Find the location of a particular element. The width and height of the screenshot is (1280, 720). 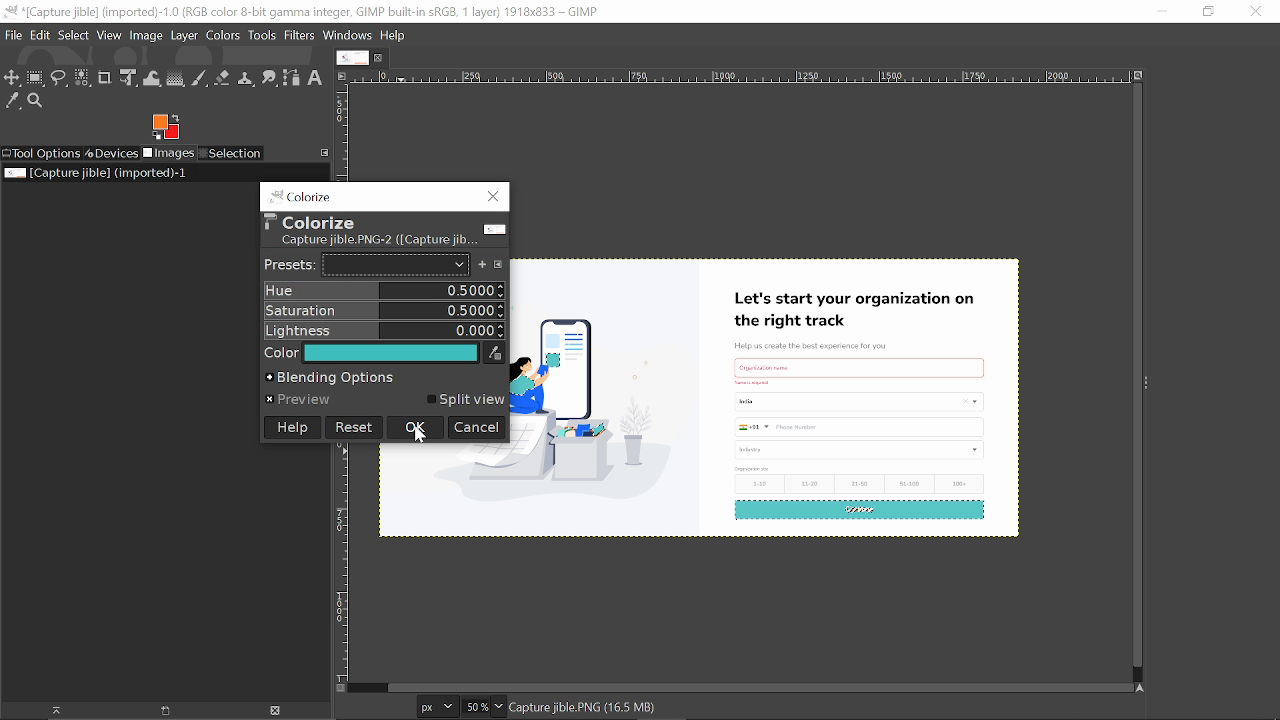

navigate is located at coordinates (342, 689).